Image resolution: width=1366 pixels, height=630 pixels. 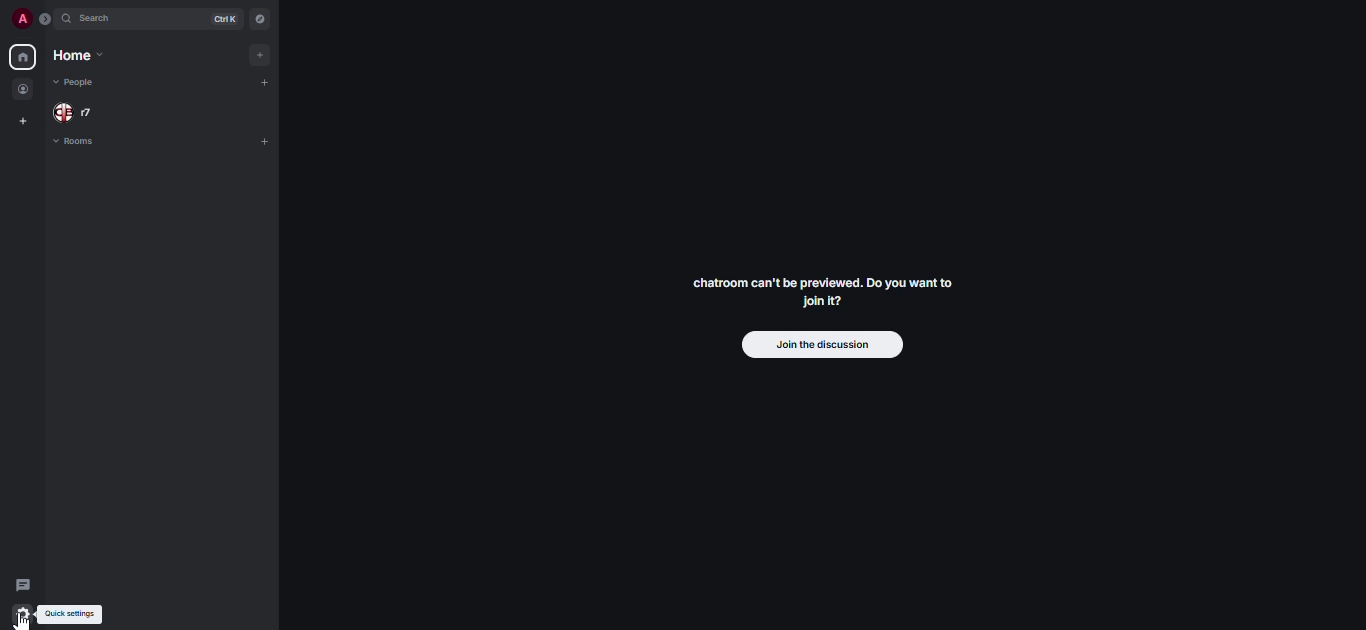 I want to click on people, so click(x=24, y=90).